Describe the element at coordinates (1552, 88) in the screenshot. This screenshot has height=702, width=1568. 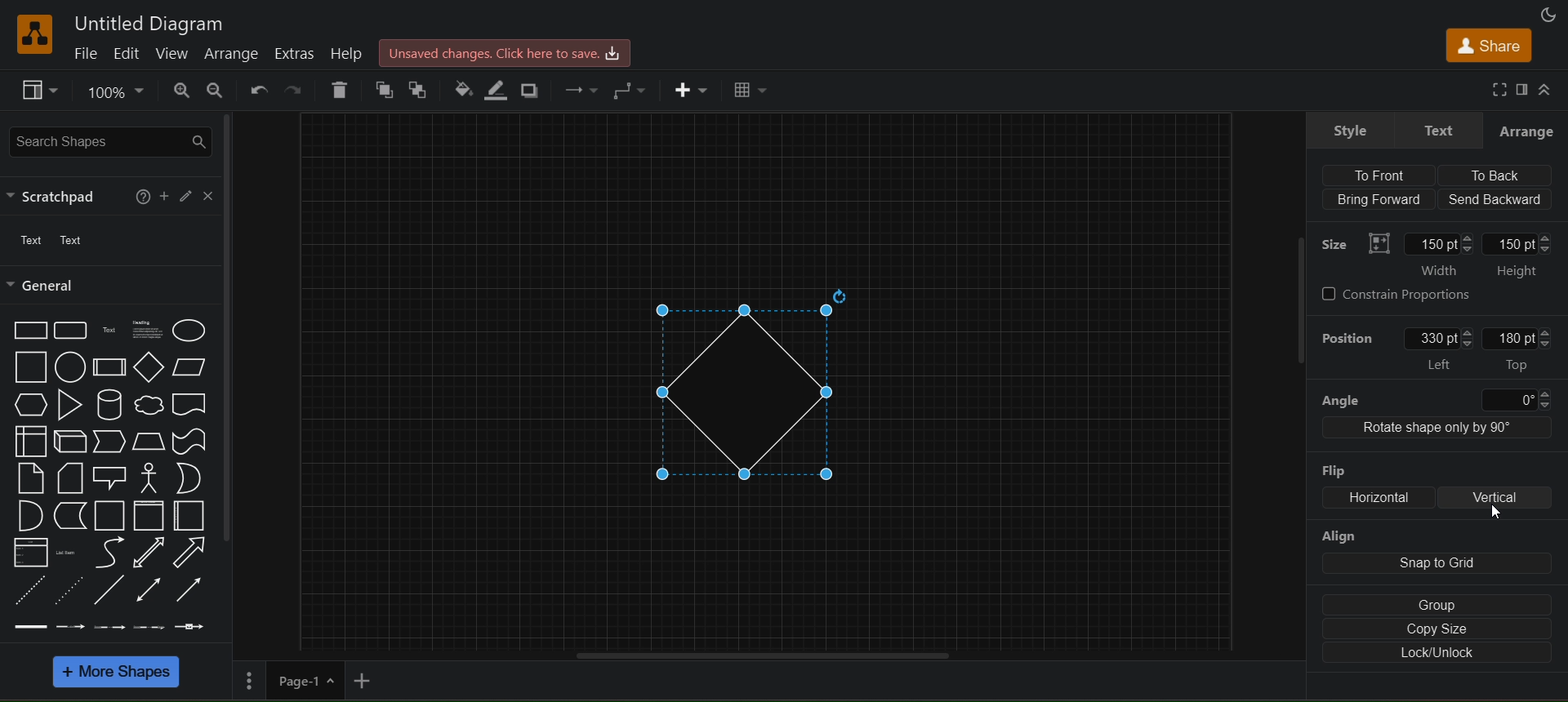
I see `collapse/expand` at that location.